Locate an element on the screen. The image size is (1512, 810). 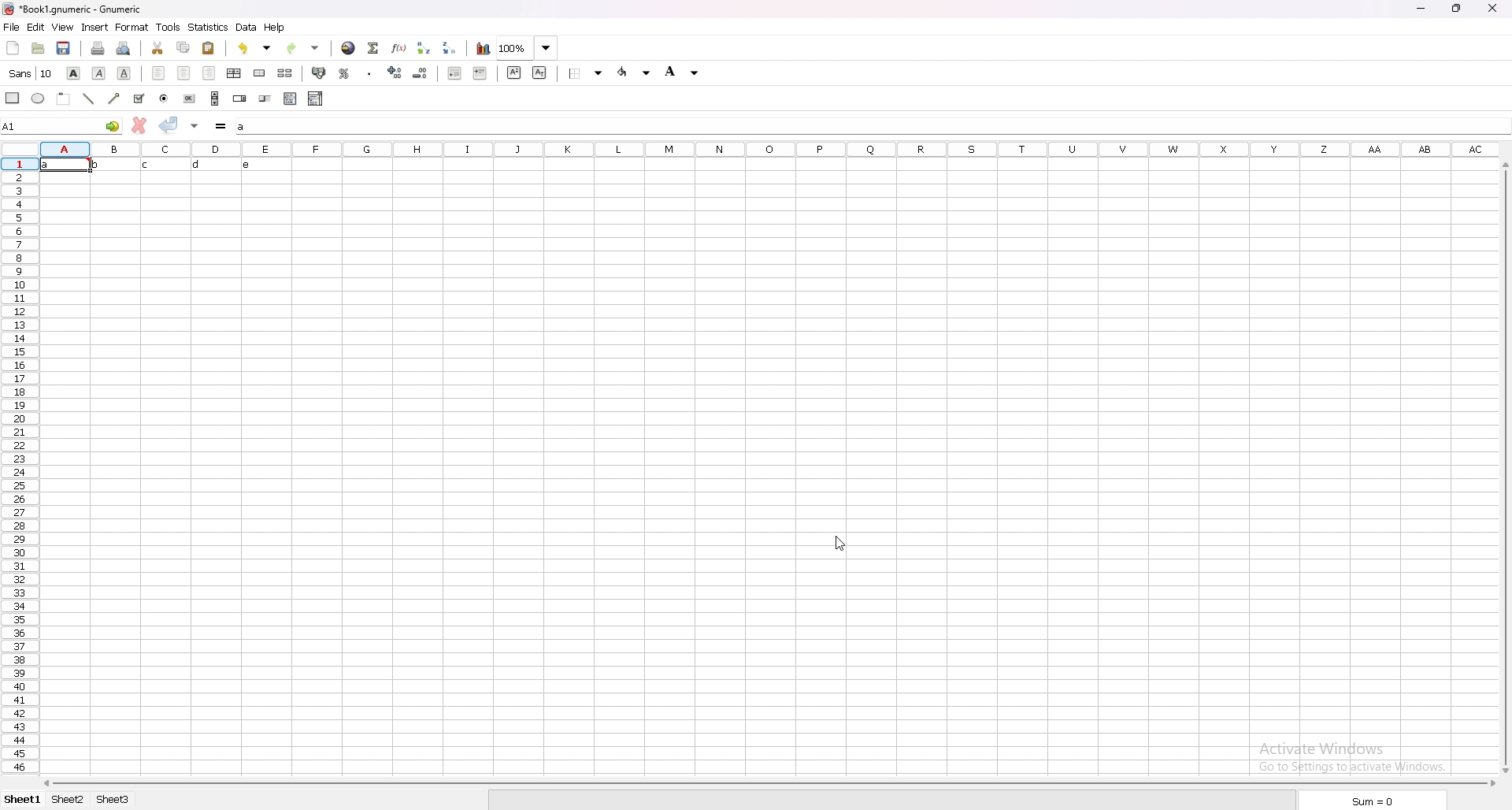
sheet 1 is located at coordinates (23, 799).